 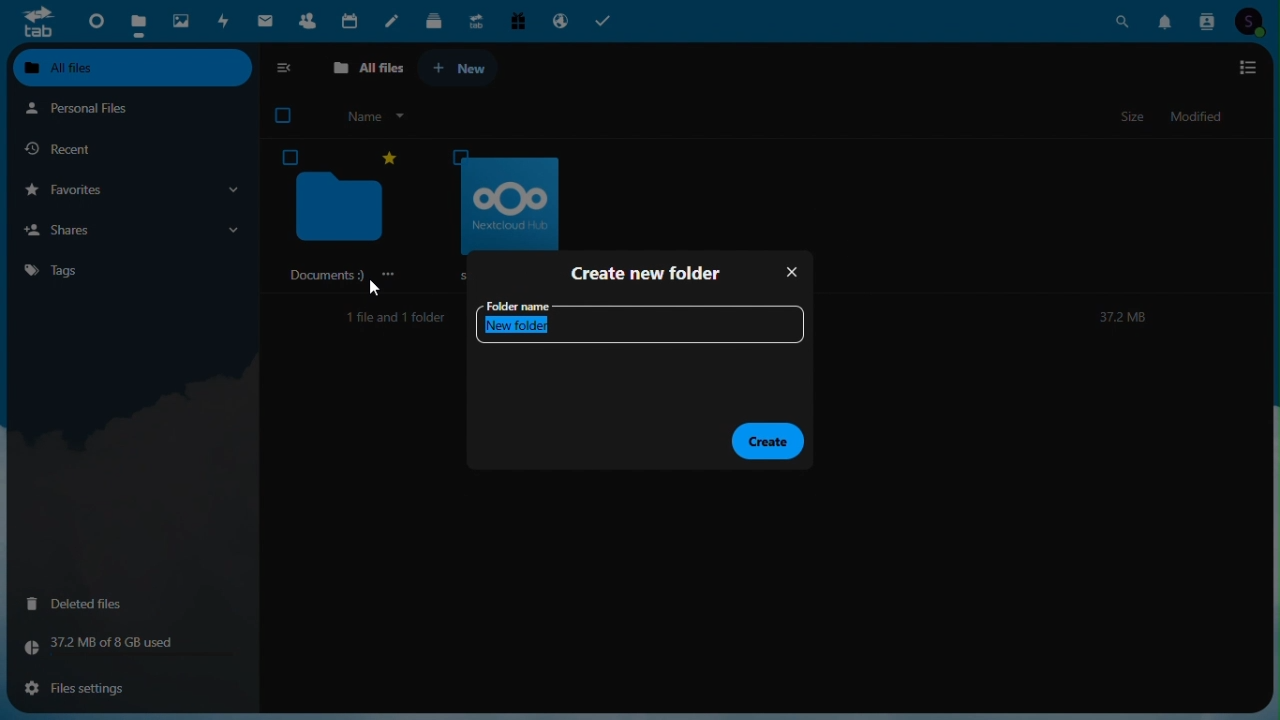 I want to click on Email hosting, so click(x=561, y=19).